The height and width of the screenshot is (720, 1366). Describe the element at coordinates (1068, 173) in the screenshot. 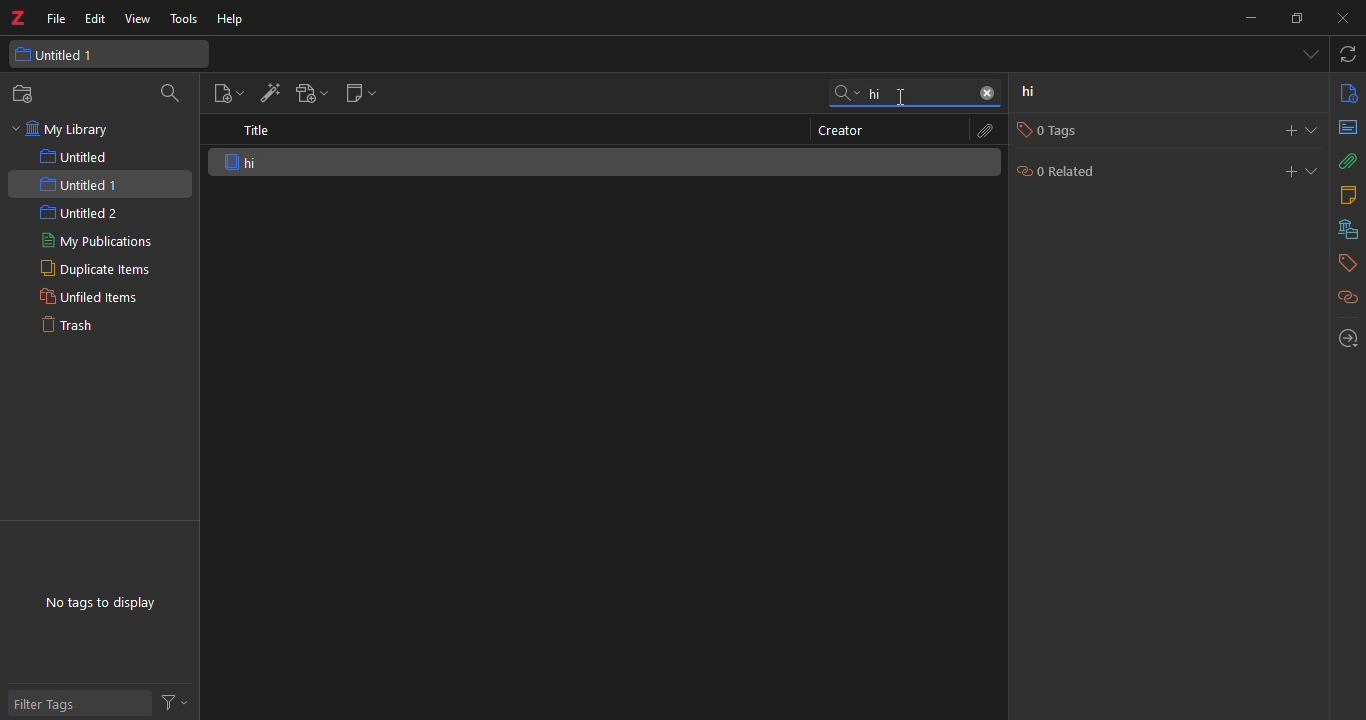

I see `0 related` at that location.